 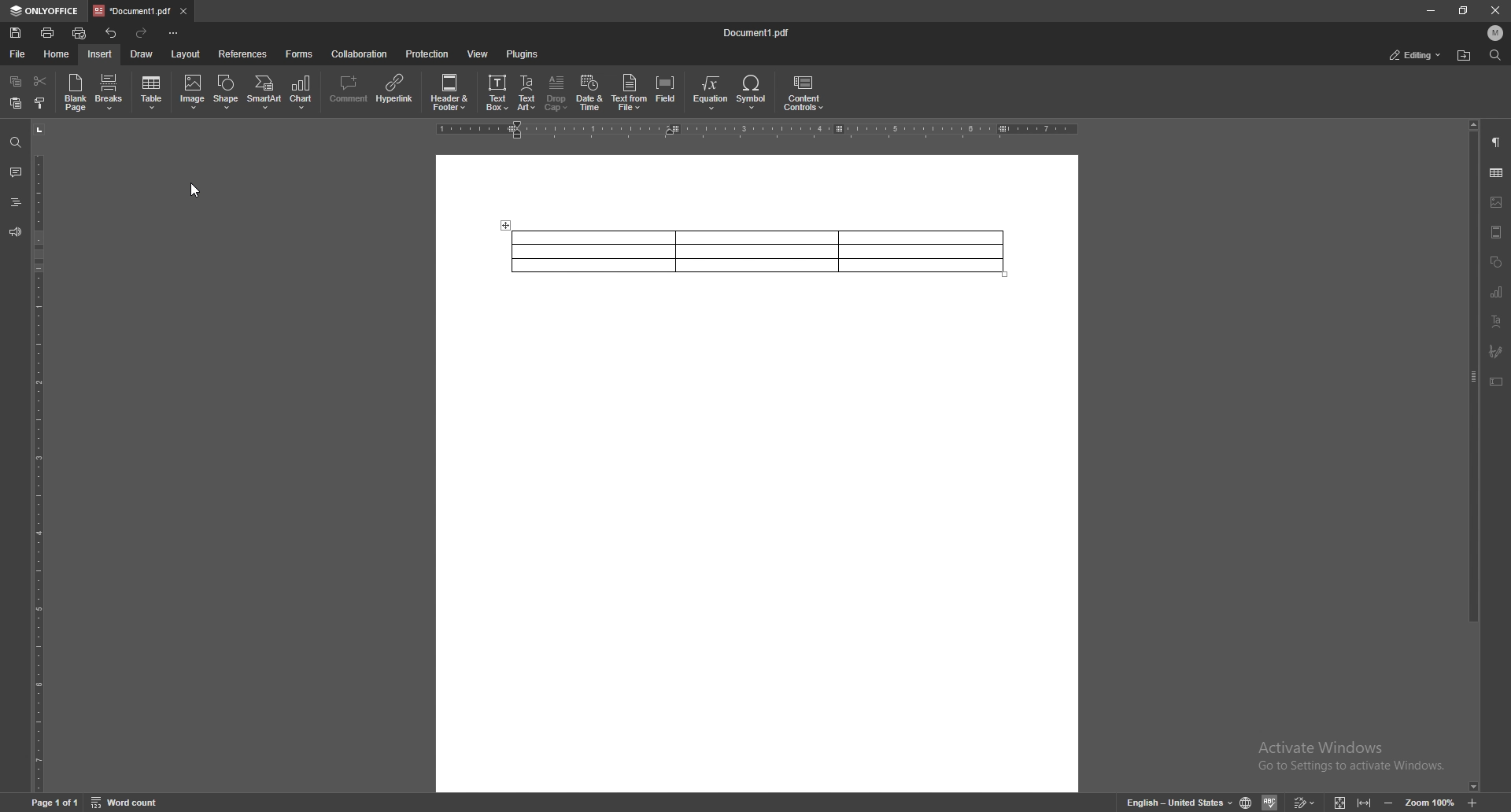 I want to click on smartart, so click(x=264, y=92).